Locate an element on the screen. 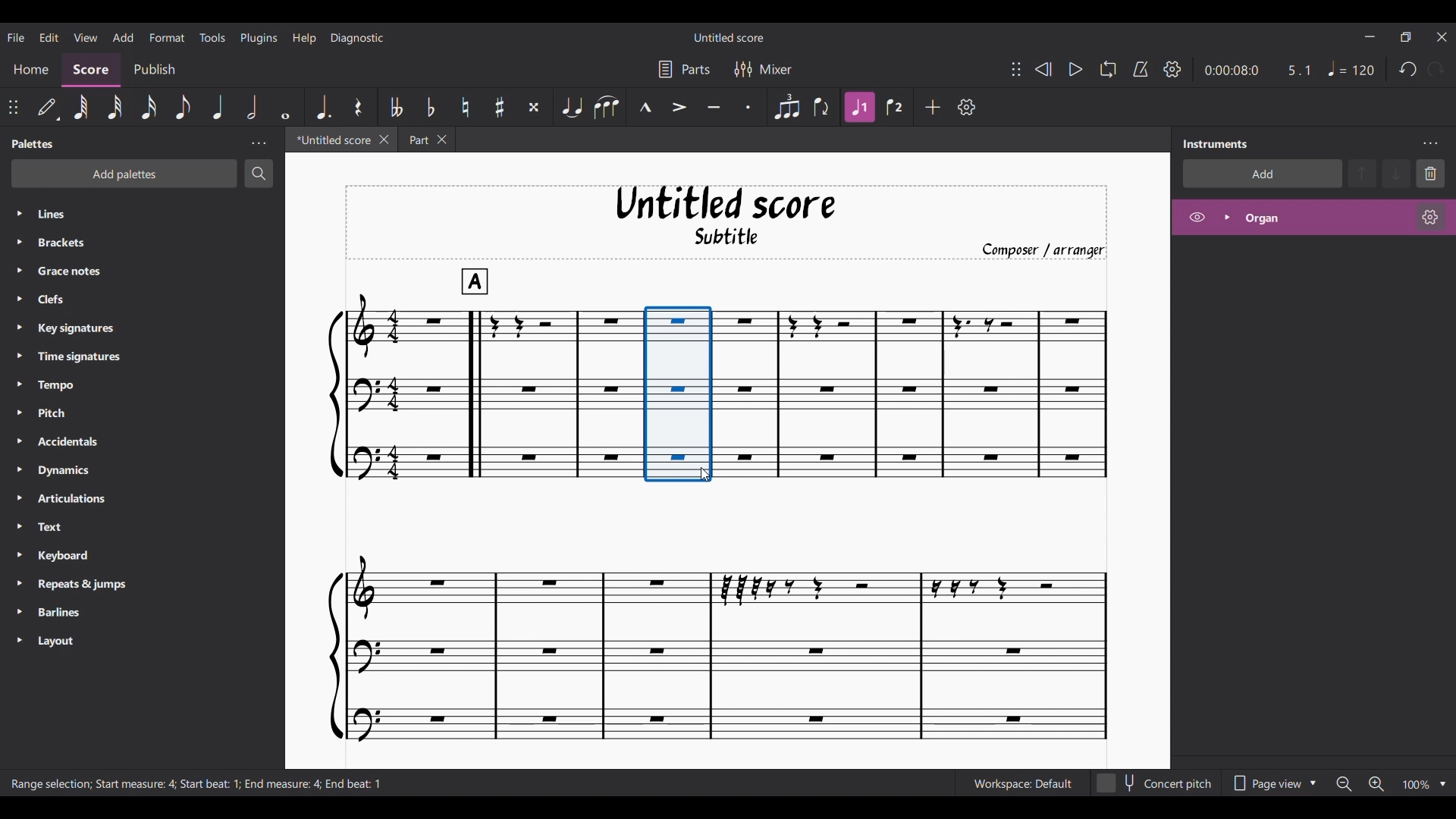 This screenshot has width=1456, height=819. Whole note is located at coordinates (287, 108).